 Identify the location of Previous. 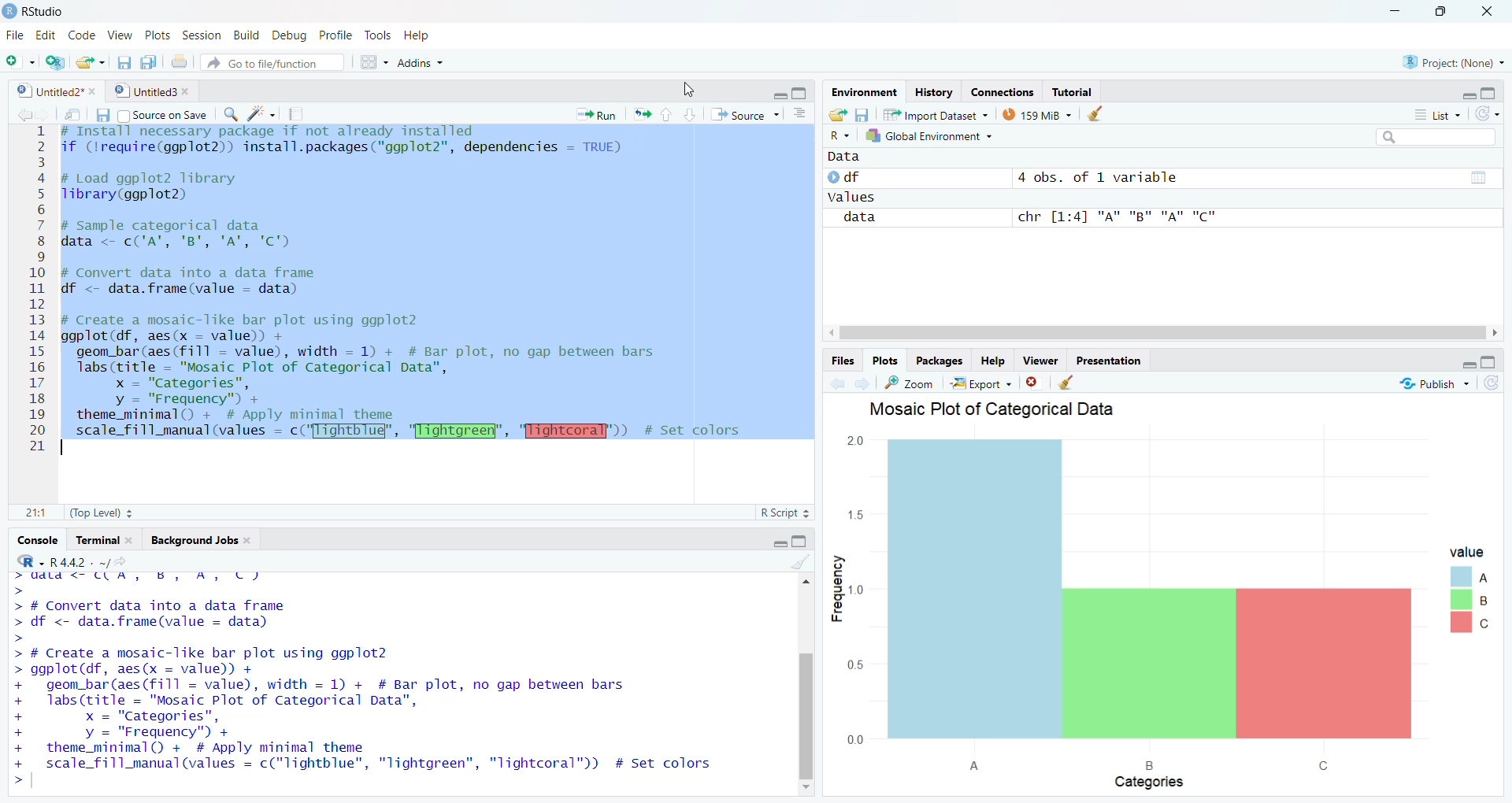
(21, 115).